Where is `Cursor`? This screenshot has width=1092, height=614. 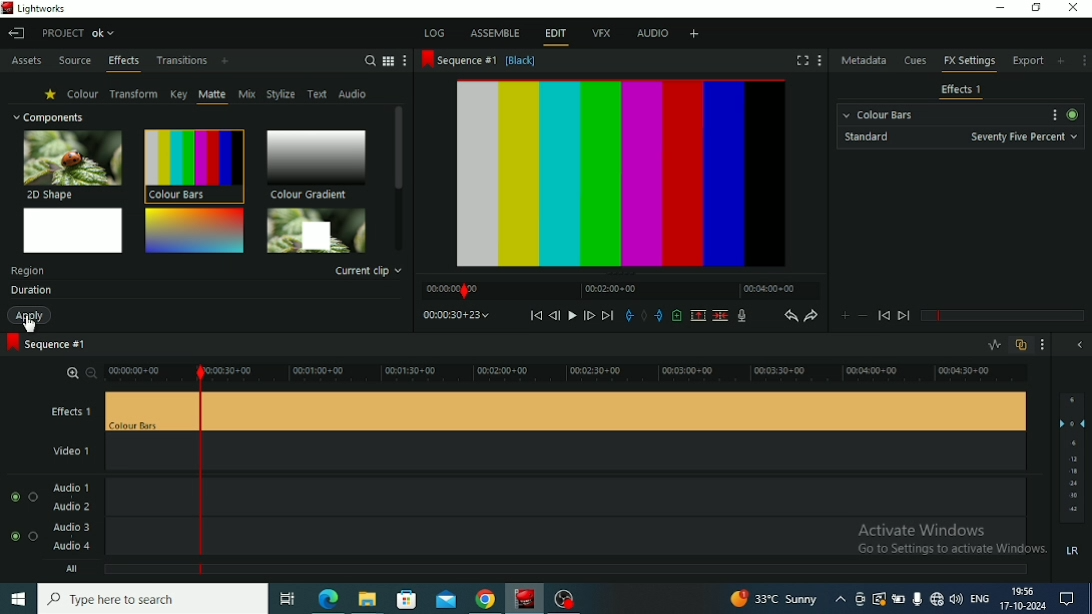
Cursor is located at coordinates (31, 324).